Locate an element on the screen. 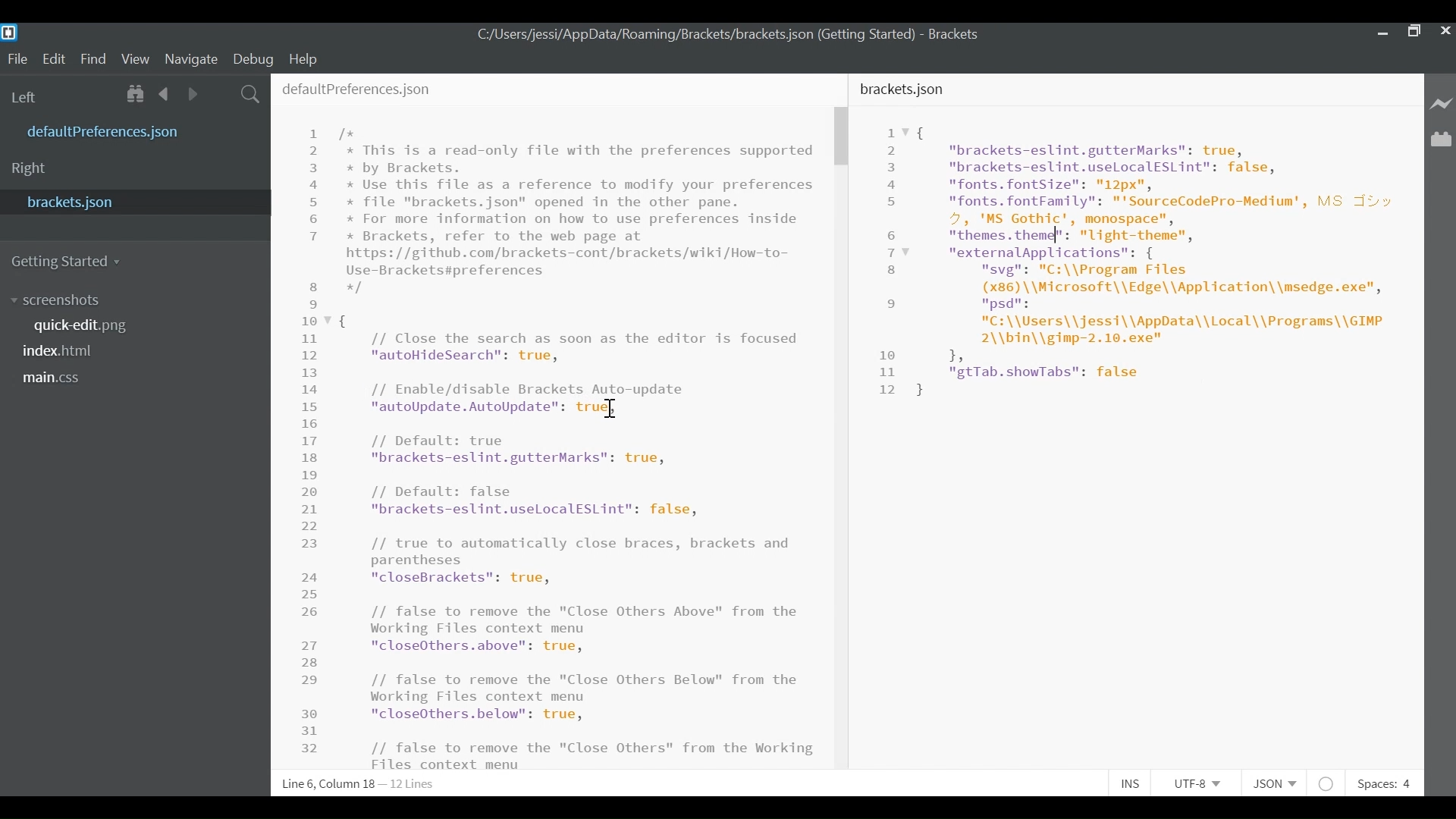  minimize is located at coordinates (1381, 30).